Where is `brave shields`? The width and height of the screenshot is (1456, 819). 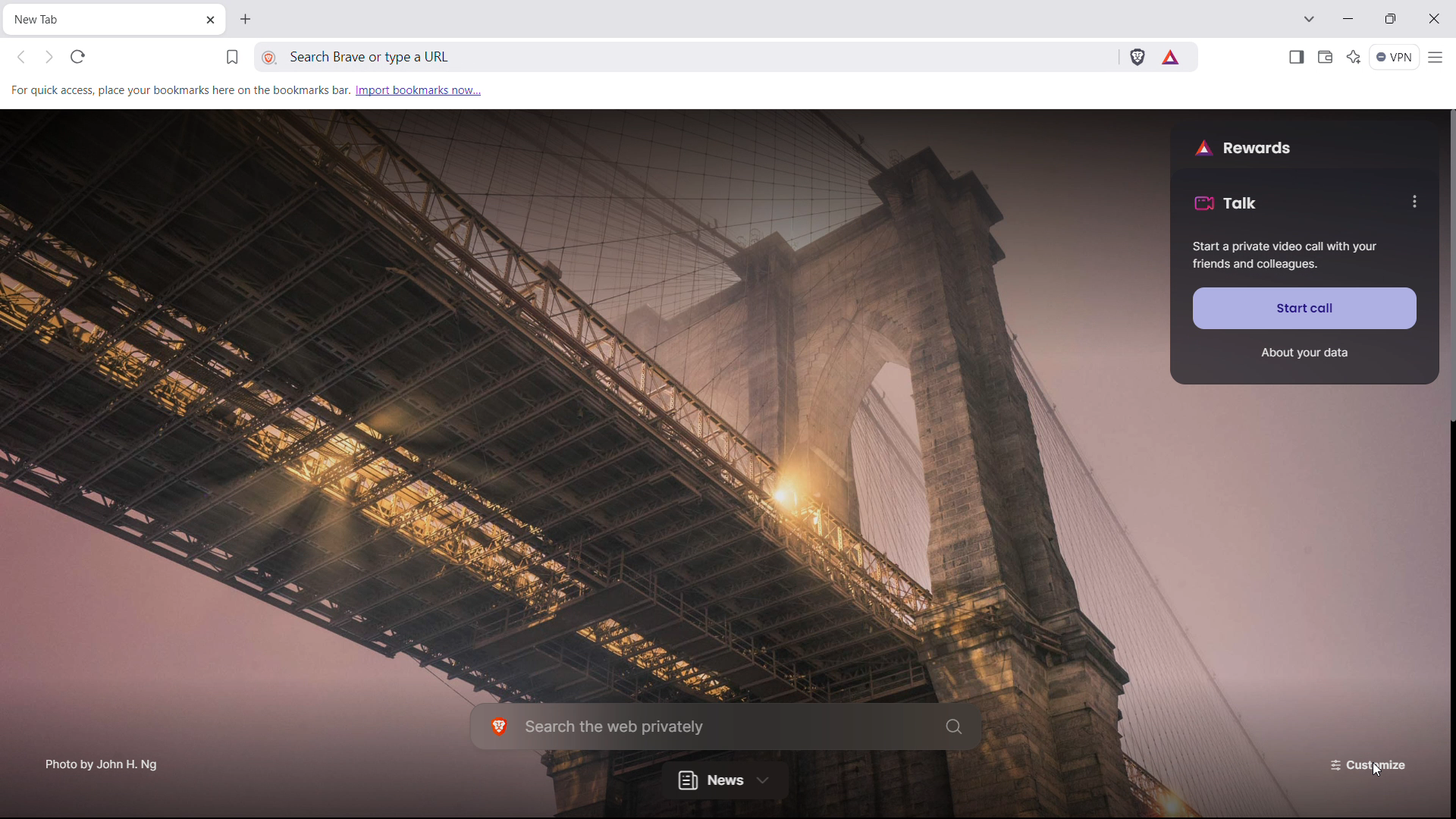
brave shields is located at coordinates (1137, 55).